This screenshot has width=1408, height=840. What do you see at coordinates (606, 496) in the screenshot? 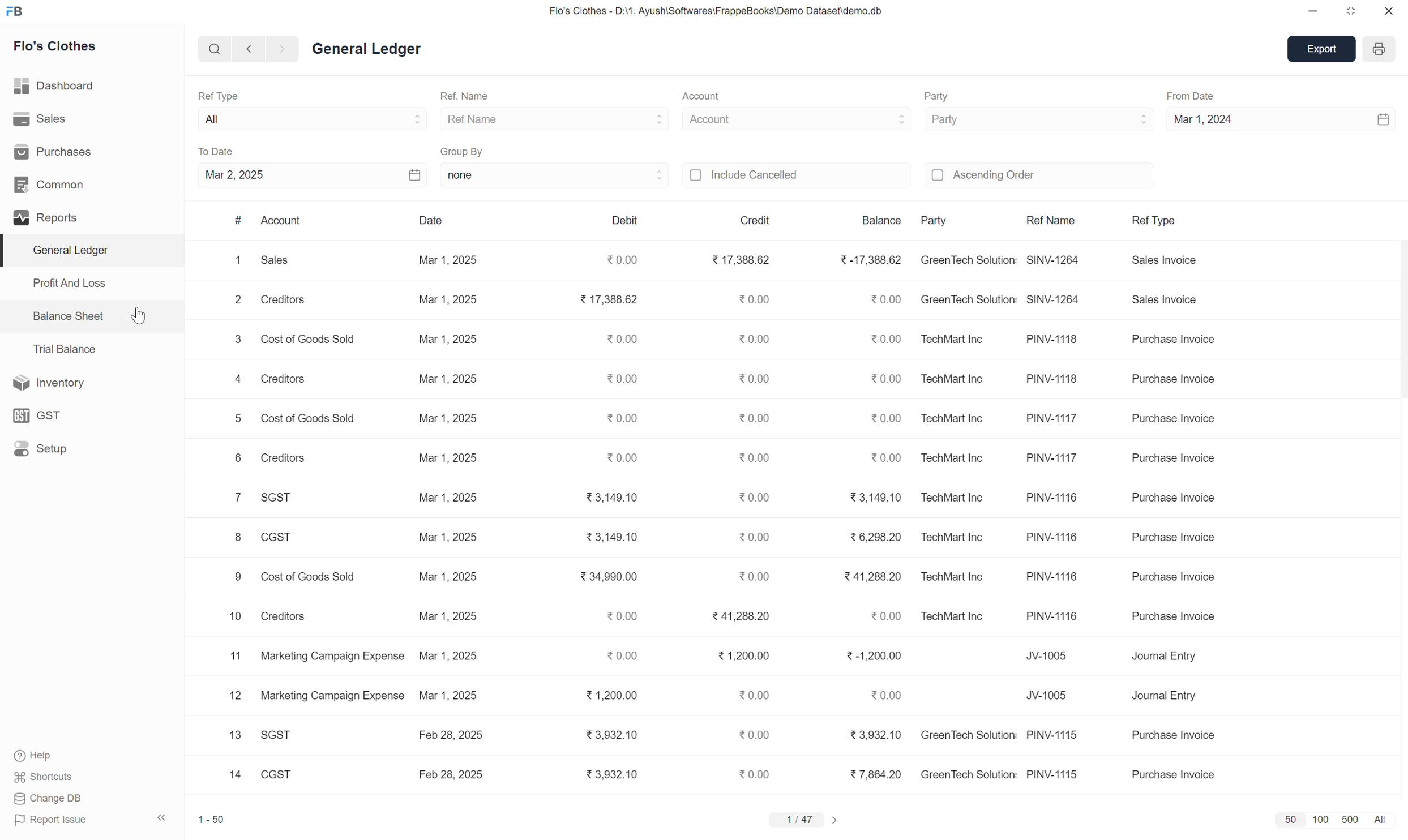
I see `¥3,149.10` at bounding box center [606, 496].